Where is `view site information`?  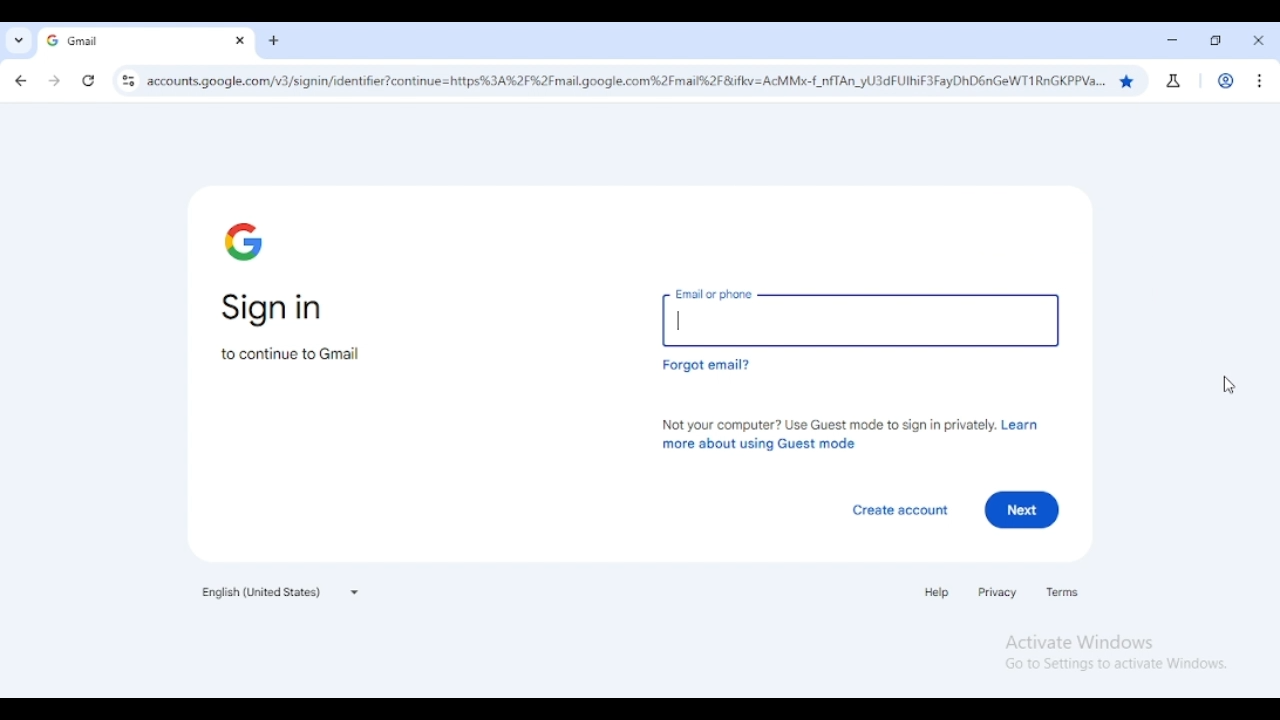 view site information is located at coordinates (127, 81).